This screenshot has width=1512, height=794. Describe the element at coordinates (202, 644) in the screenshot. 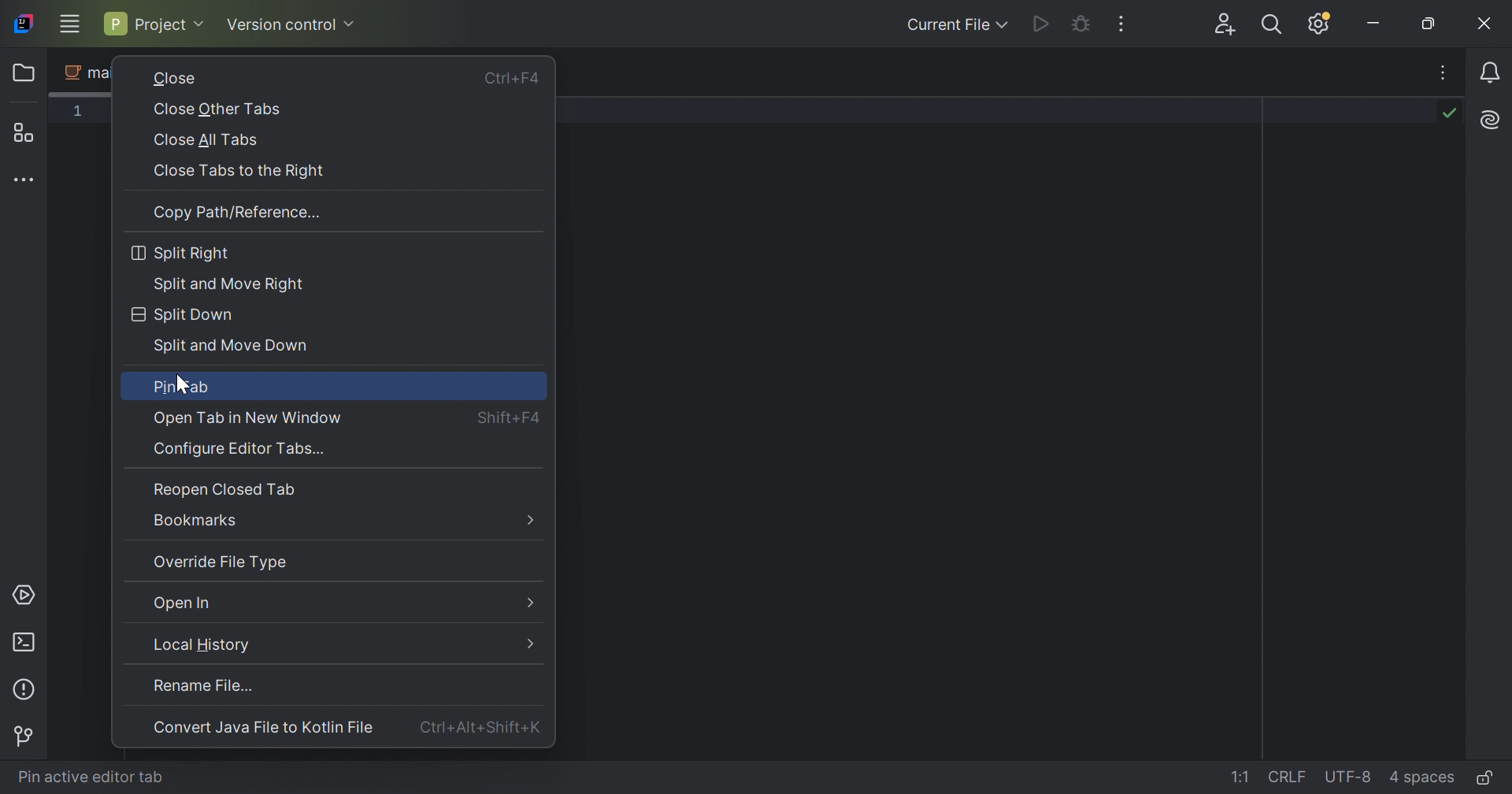

I see `local history` at that location.